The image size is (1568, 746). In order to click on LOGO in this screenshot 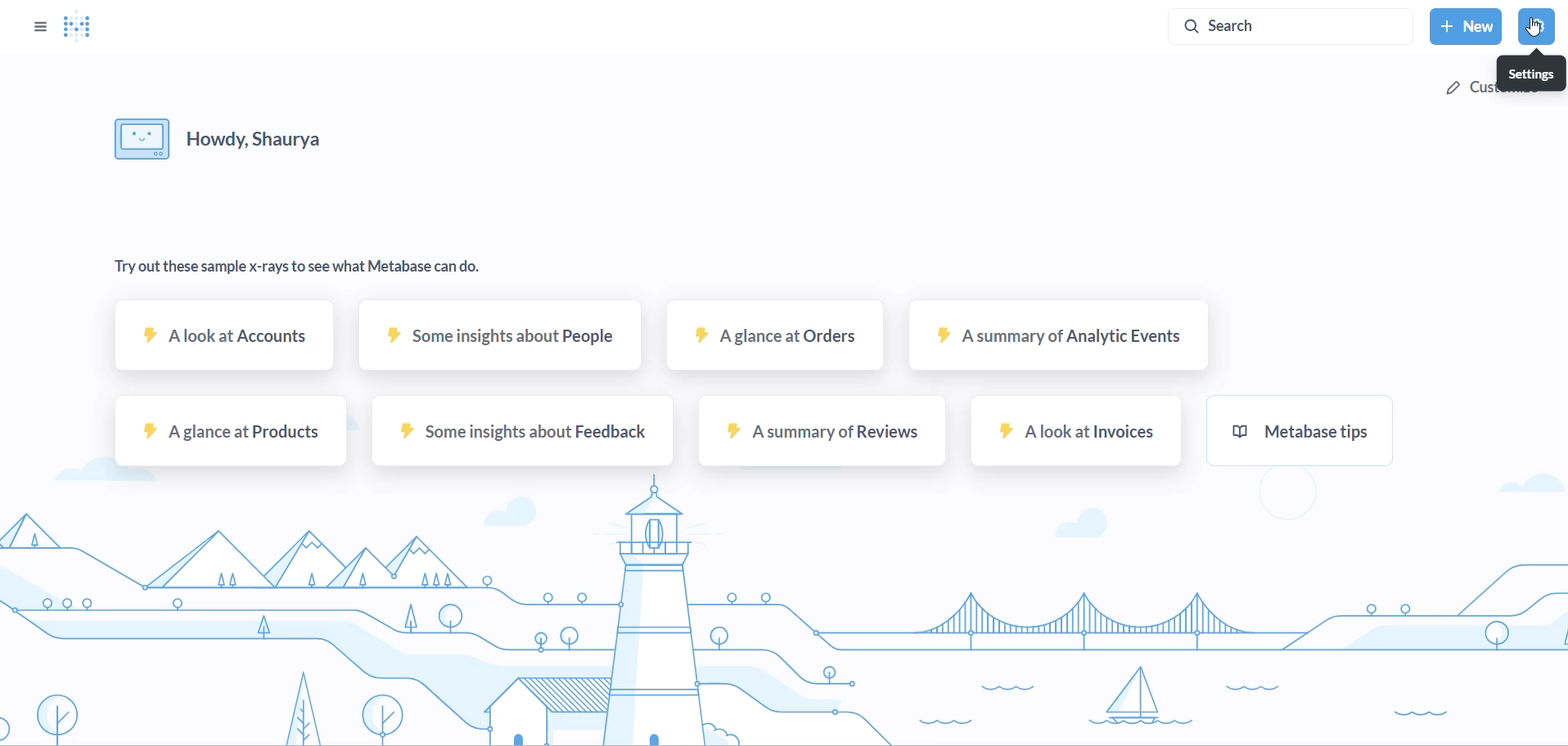, I will do `click(79, 26)`.